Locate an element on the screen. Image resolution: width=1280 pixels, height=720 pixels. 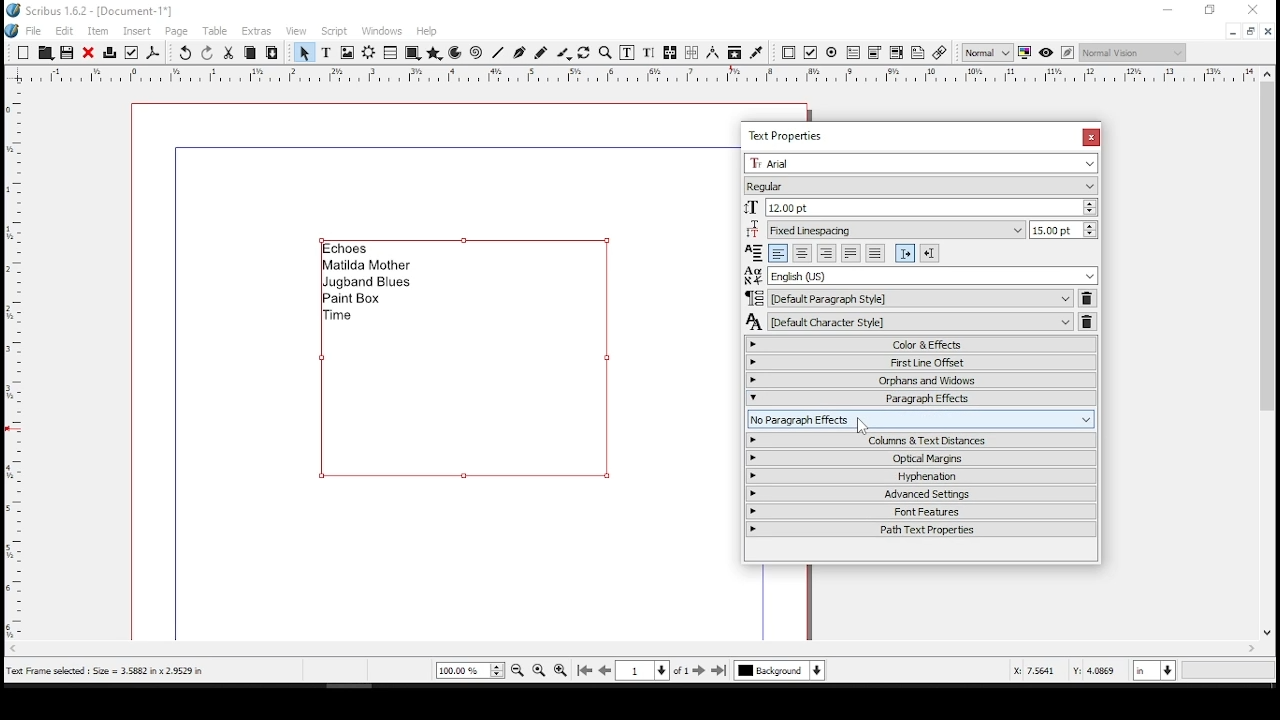
delete character style is located at coordinates (1087, 321).